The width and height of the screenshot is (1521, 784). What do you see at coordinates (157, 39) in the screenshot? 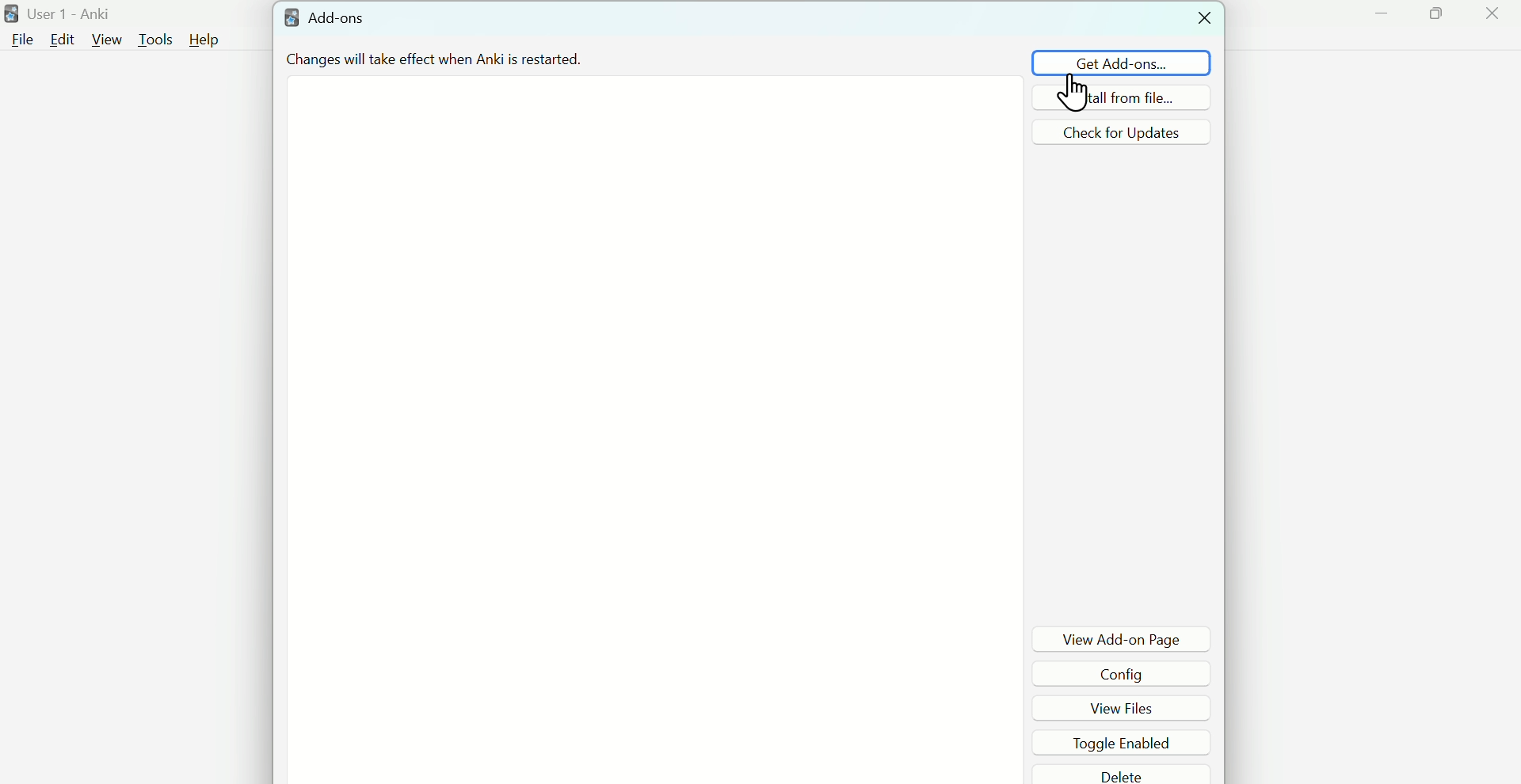
I see `Tools` at bounding box center [157, 39].